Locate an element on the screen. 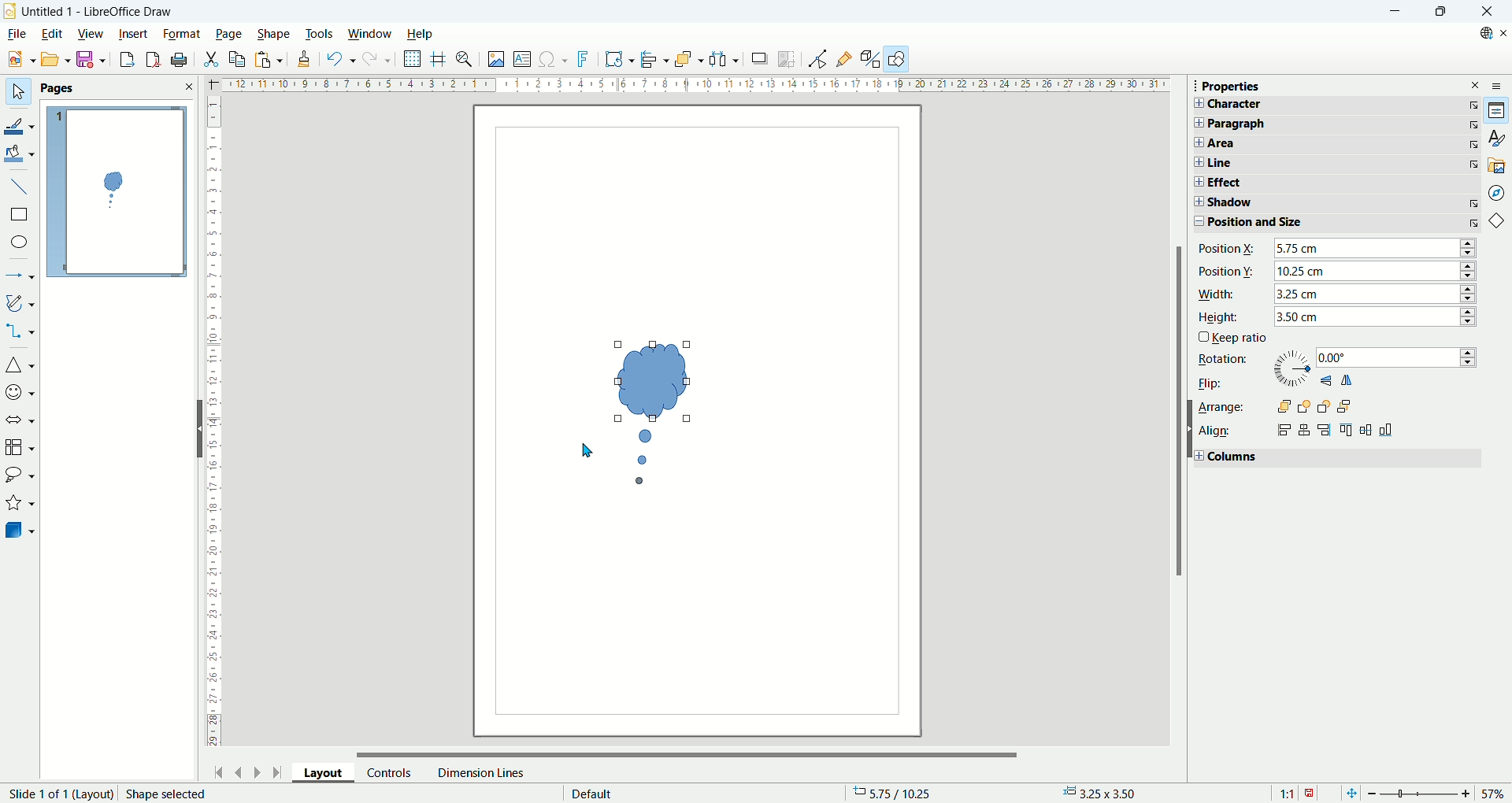 This screenshot has height=803, width=1512. Gallery is located at coordinates (1497, 165).